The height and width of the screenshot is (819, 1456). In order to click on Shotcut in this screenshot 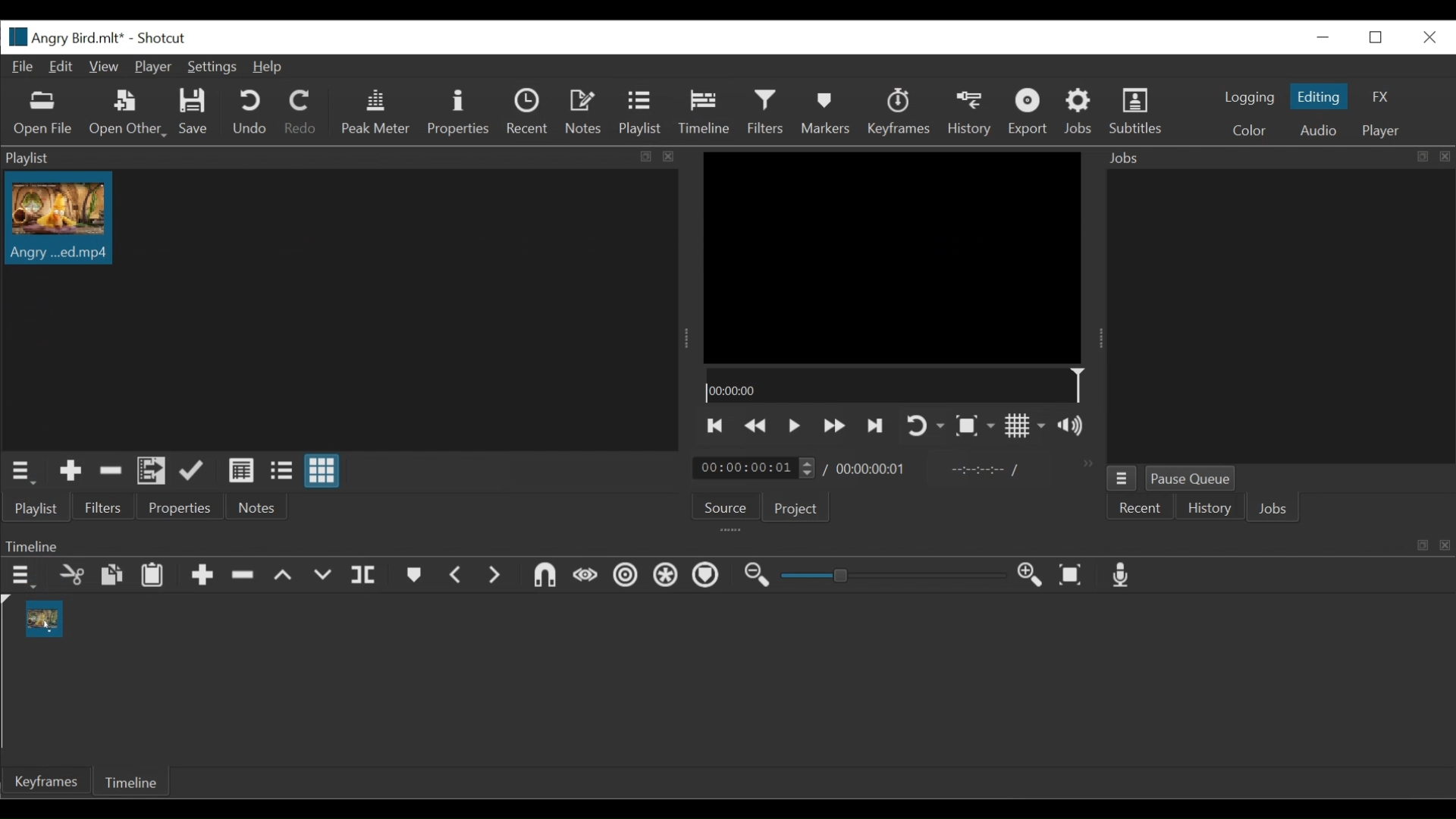, I will do `click(162, 39)`.